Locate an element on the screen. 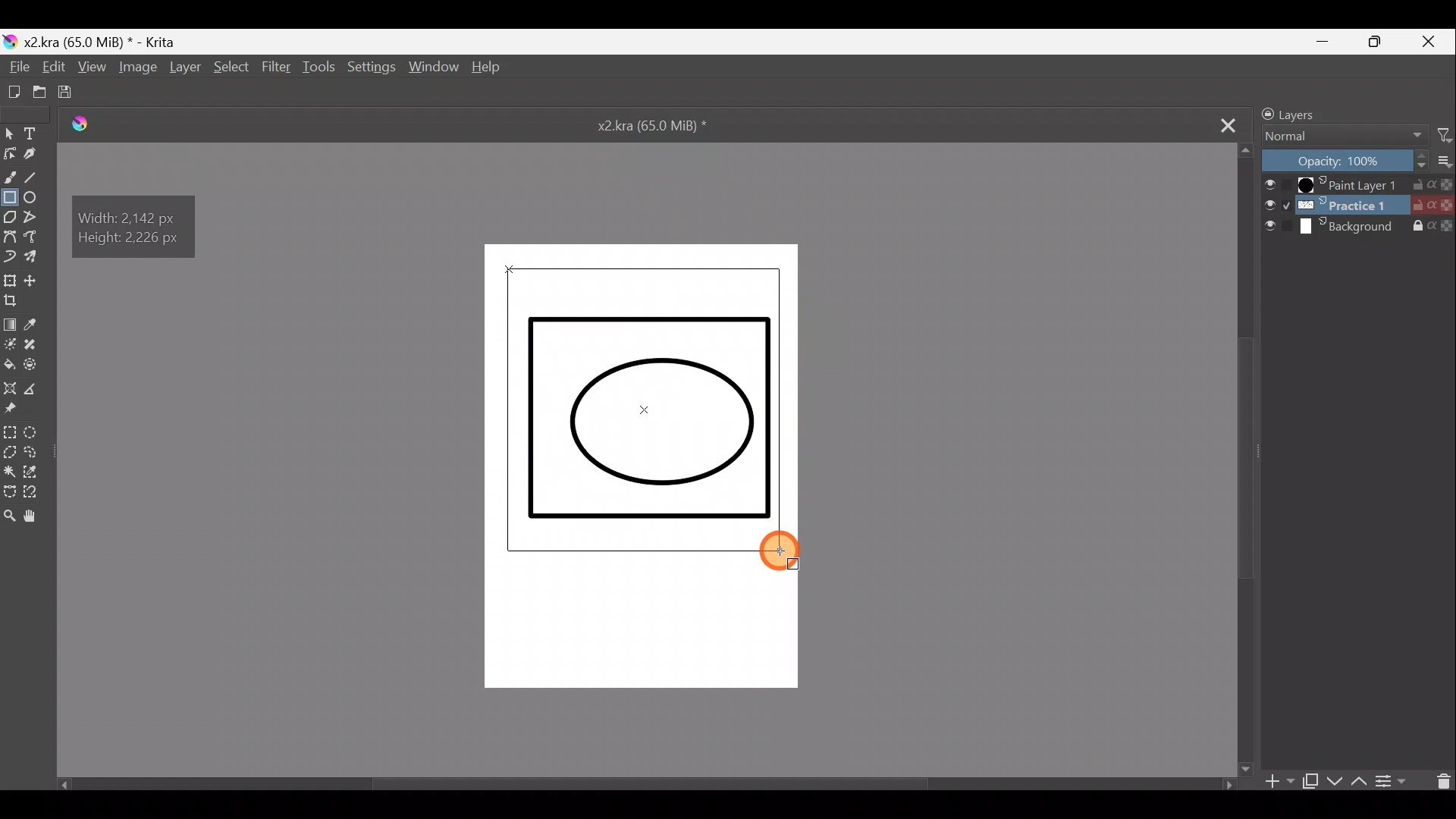 This screenshot has height=819, width=1456. View is located at coordinates (92, 67).